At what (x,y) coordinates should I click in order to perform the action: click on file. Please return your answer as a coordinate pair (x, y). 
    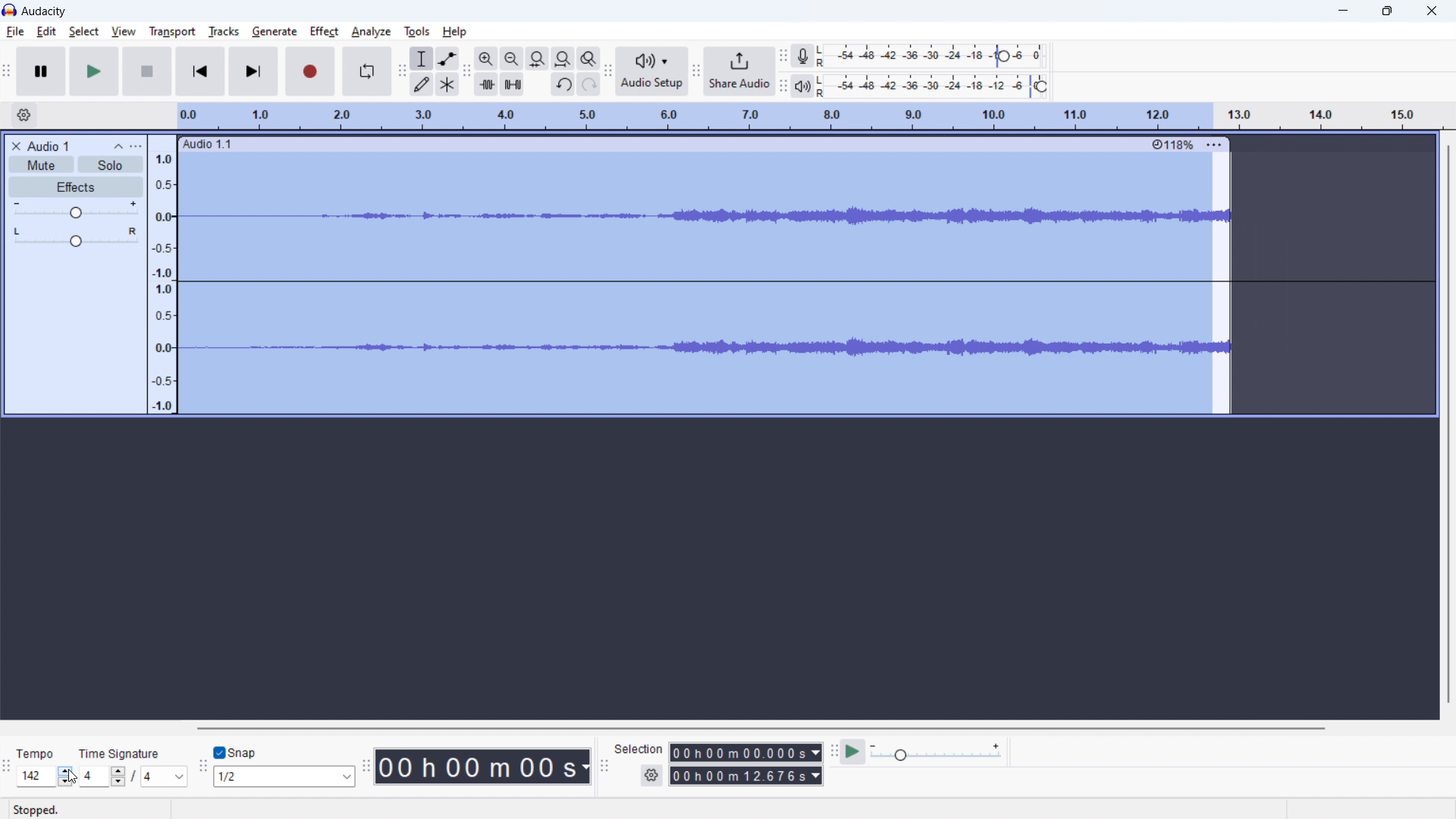
    Looking at the image, I should click on (14, 33).